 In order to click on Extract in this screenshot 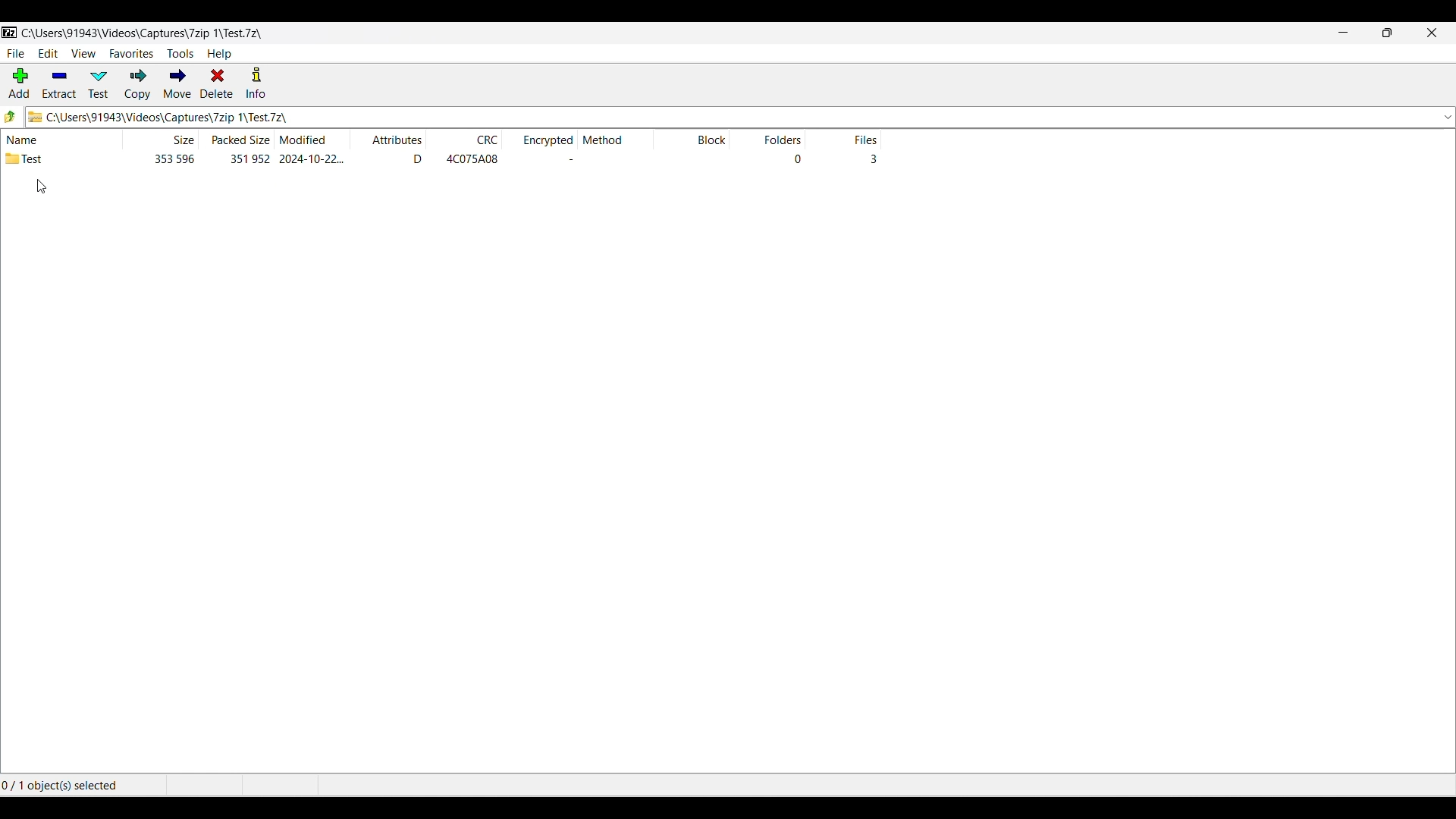, I will do `click(60, 85)`.